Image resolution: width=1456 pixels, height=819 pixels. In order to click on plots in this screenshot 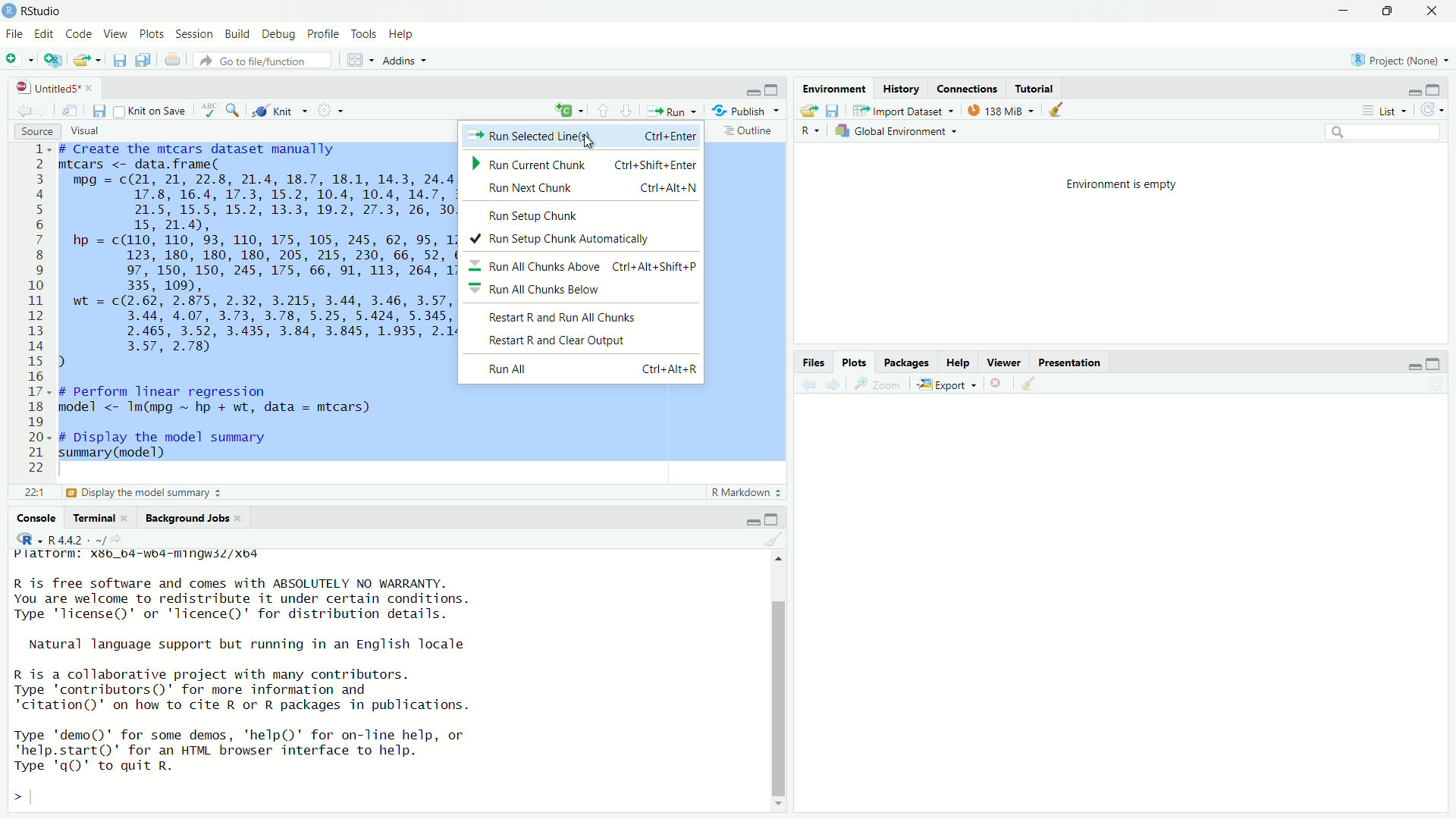, I will do `click(152, 34)`.